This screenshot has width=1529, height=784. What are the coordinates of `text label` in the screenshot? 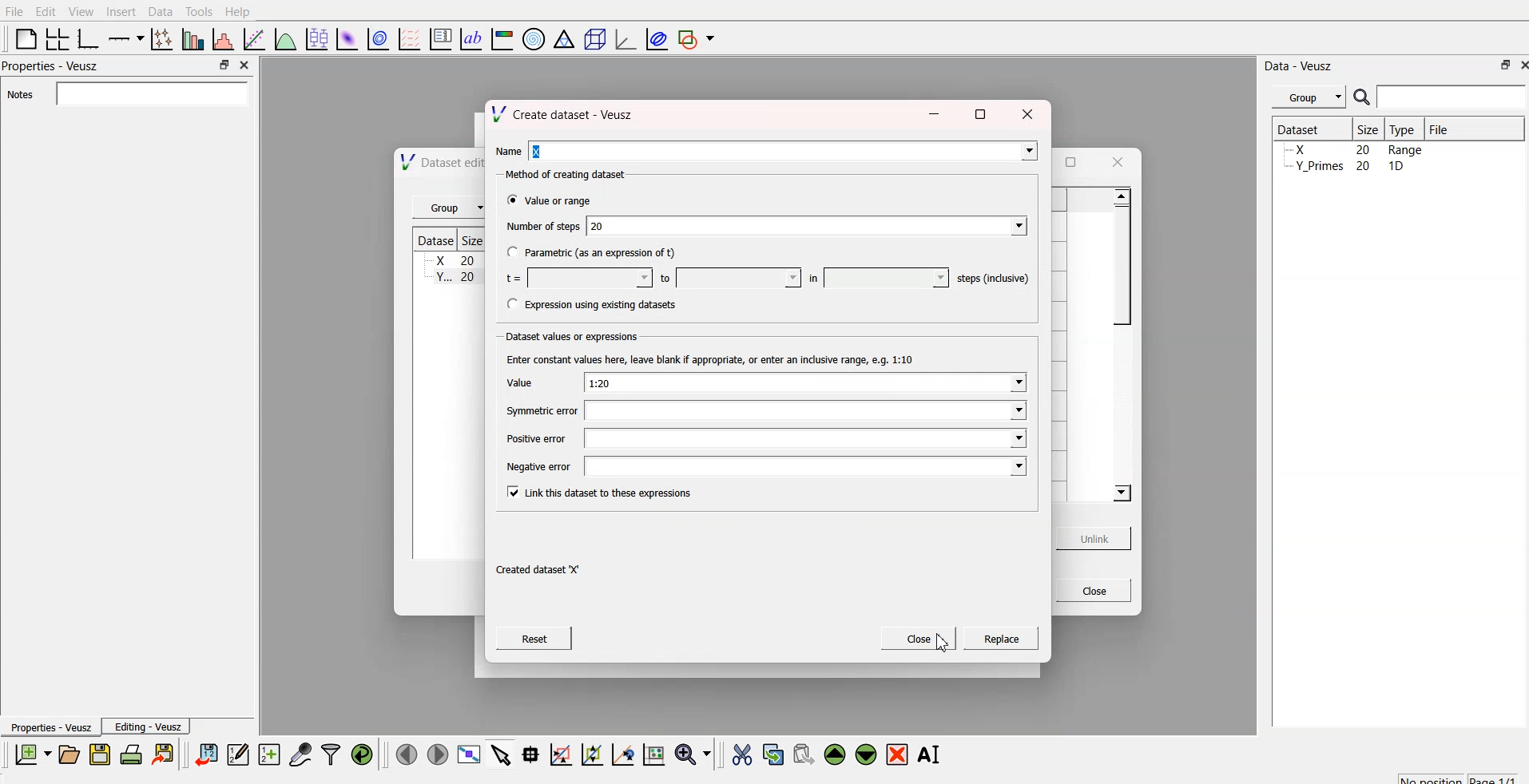 It's located at (469, 39).